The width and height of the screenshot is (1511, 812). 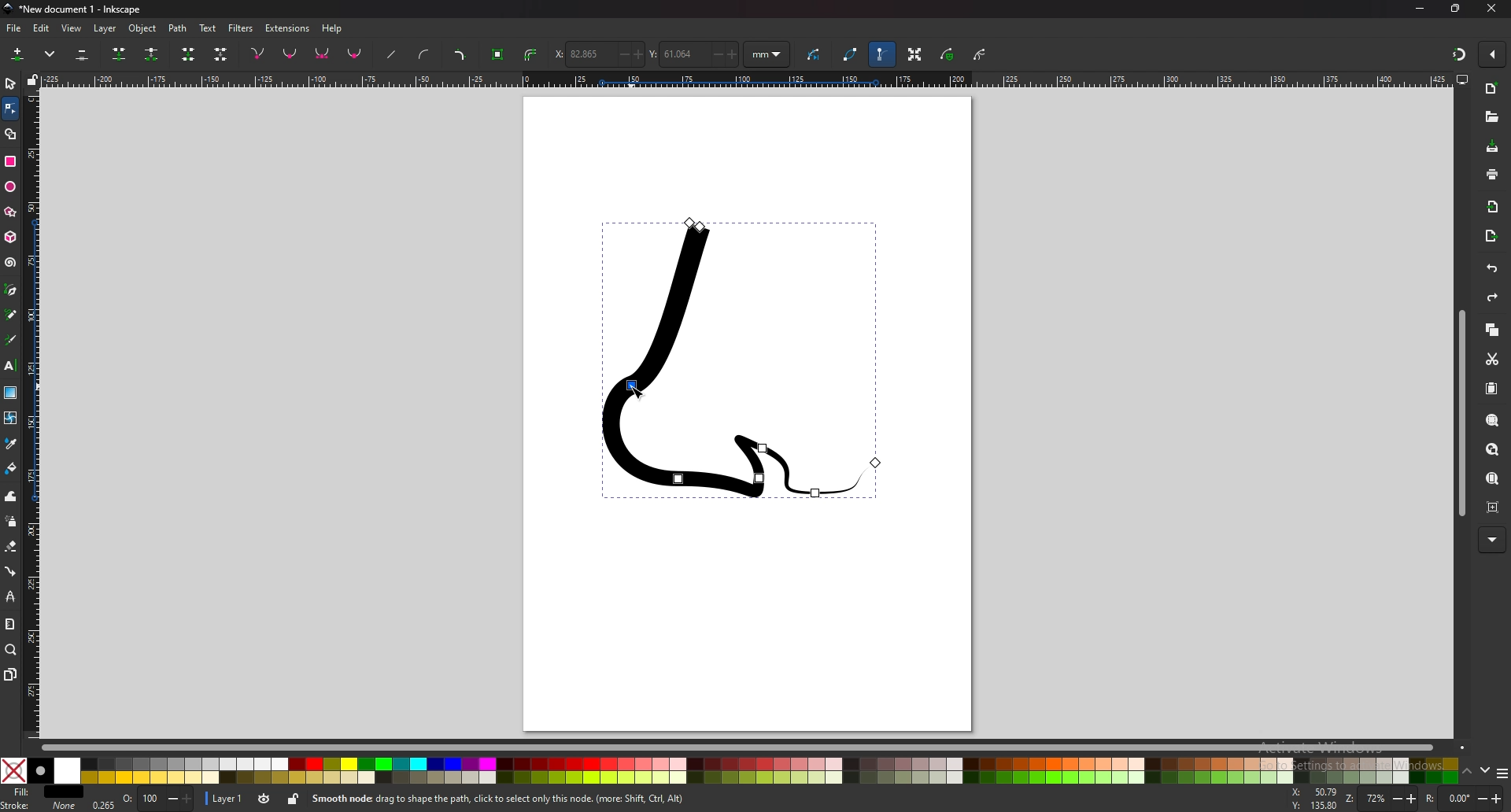 I want to click on stroke to path, so click(x=531, y=55).